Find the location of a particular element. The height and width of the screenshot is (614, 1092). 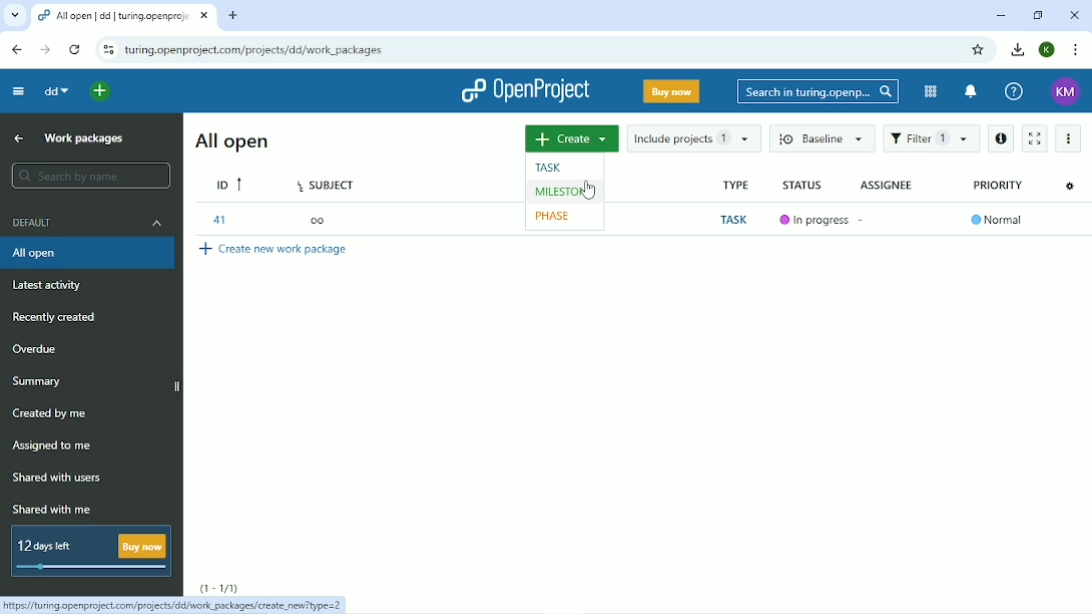

41 is located at coordinates (219, 219).